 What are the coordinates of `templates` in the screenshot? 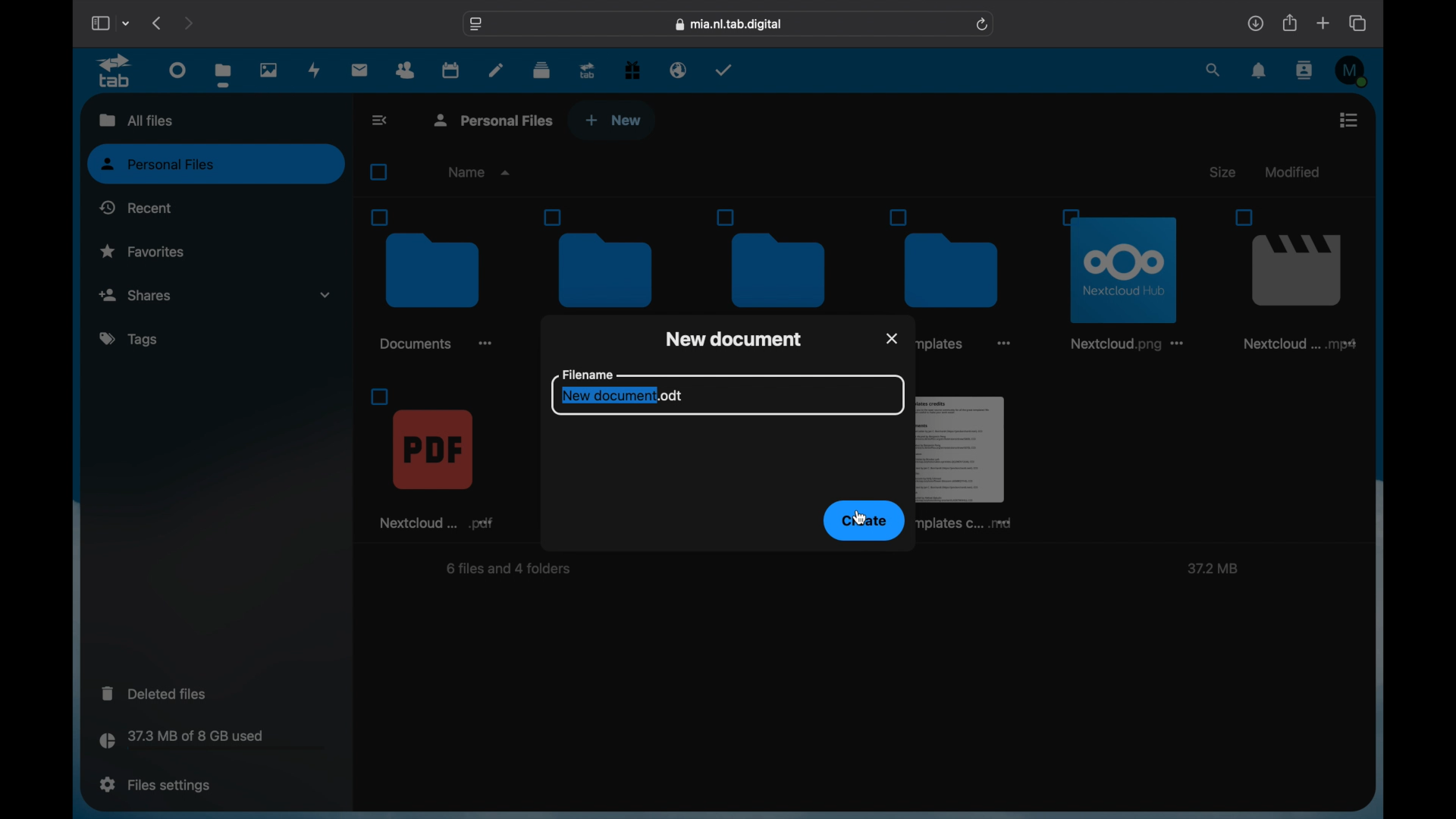 It's located at (969, 459).